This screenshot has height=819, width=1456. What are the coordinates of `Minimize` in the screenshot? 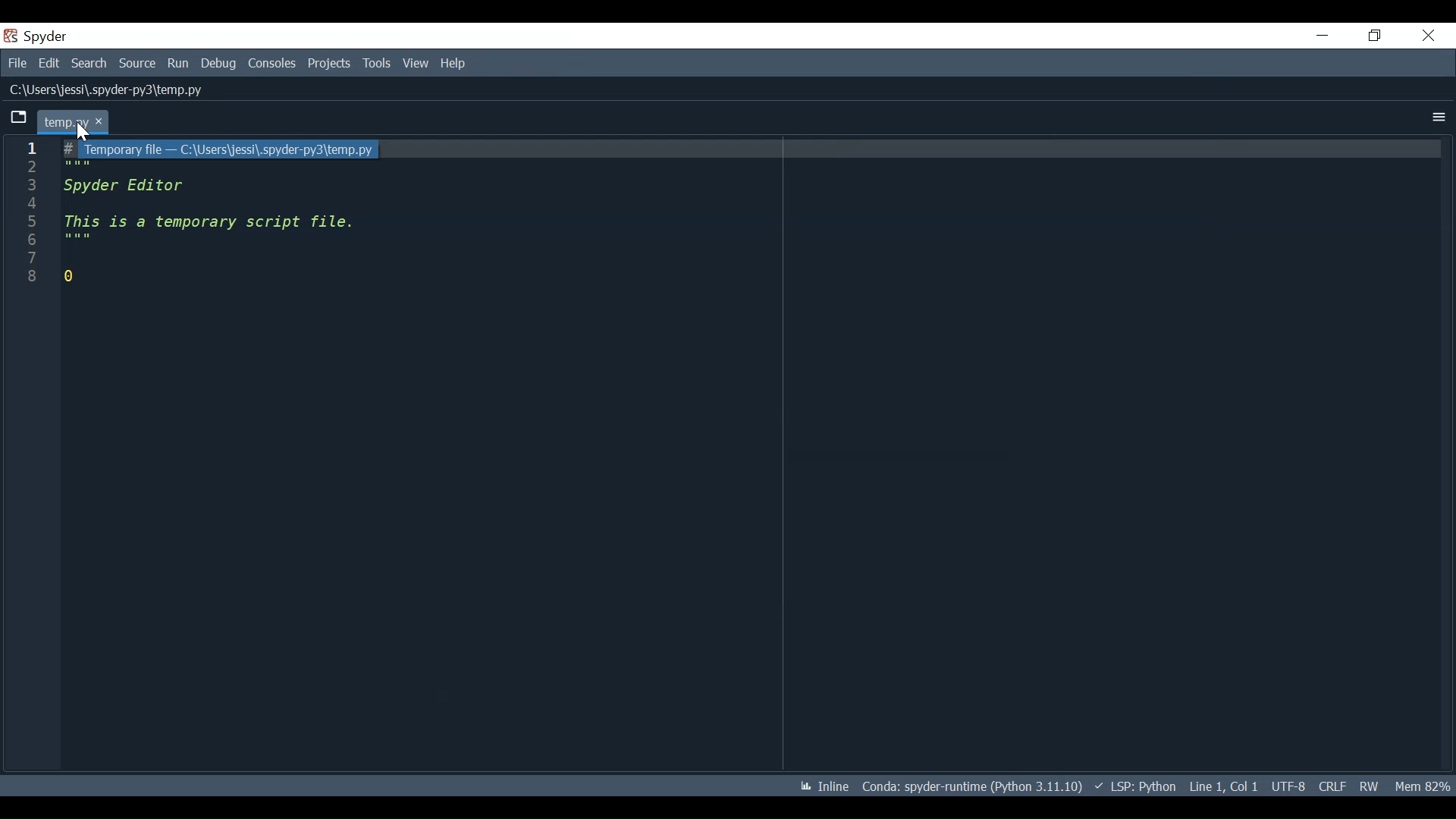 It's located at (1325, 35).